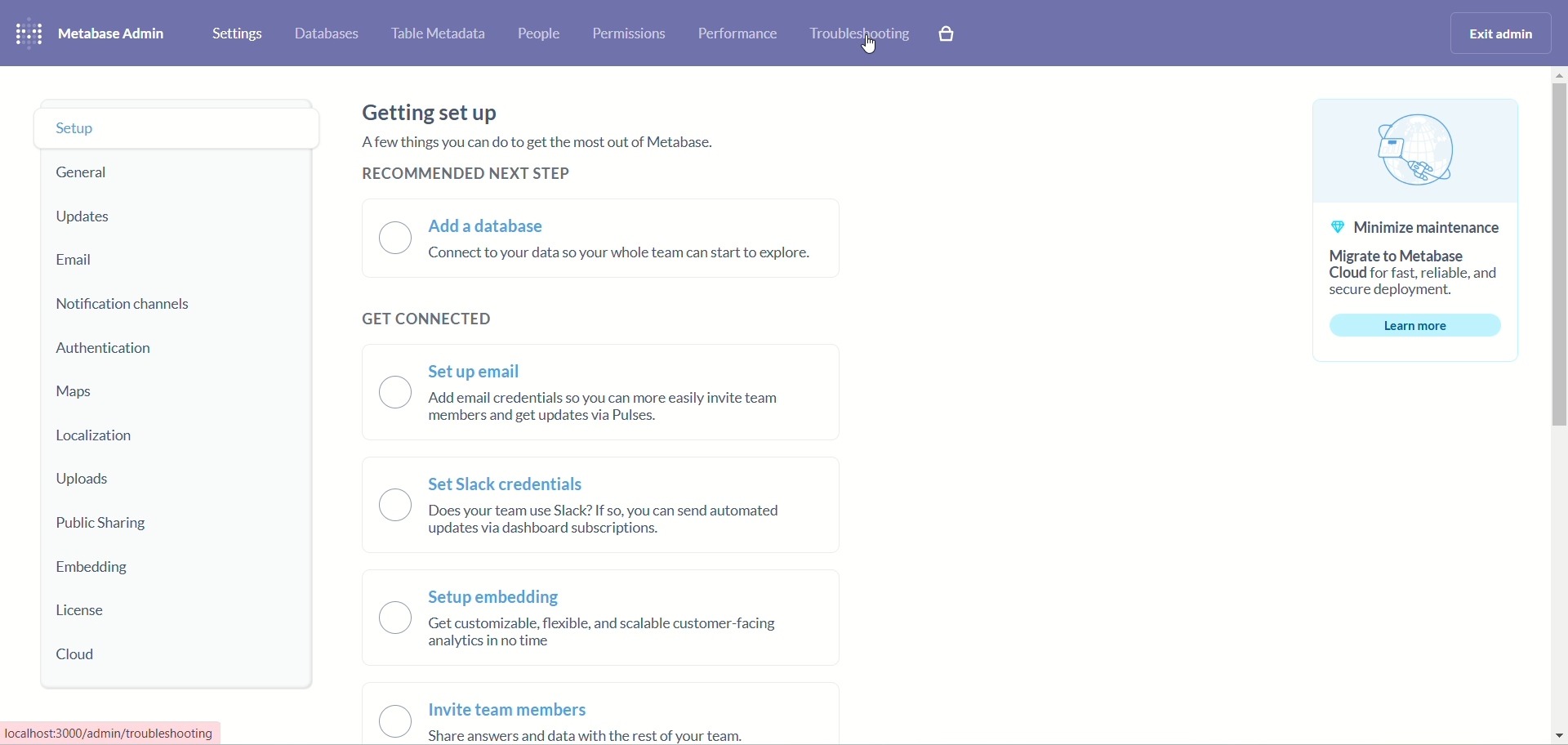 Image resolution: width=1568 pixels, height=745 pixels. What do you see at coordinates (87, 172) in the screenshot?
I see `general` at bounding box center [87, 172].